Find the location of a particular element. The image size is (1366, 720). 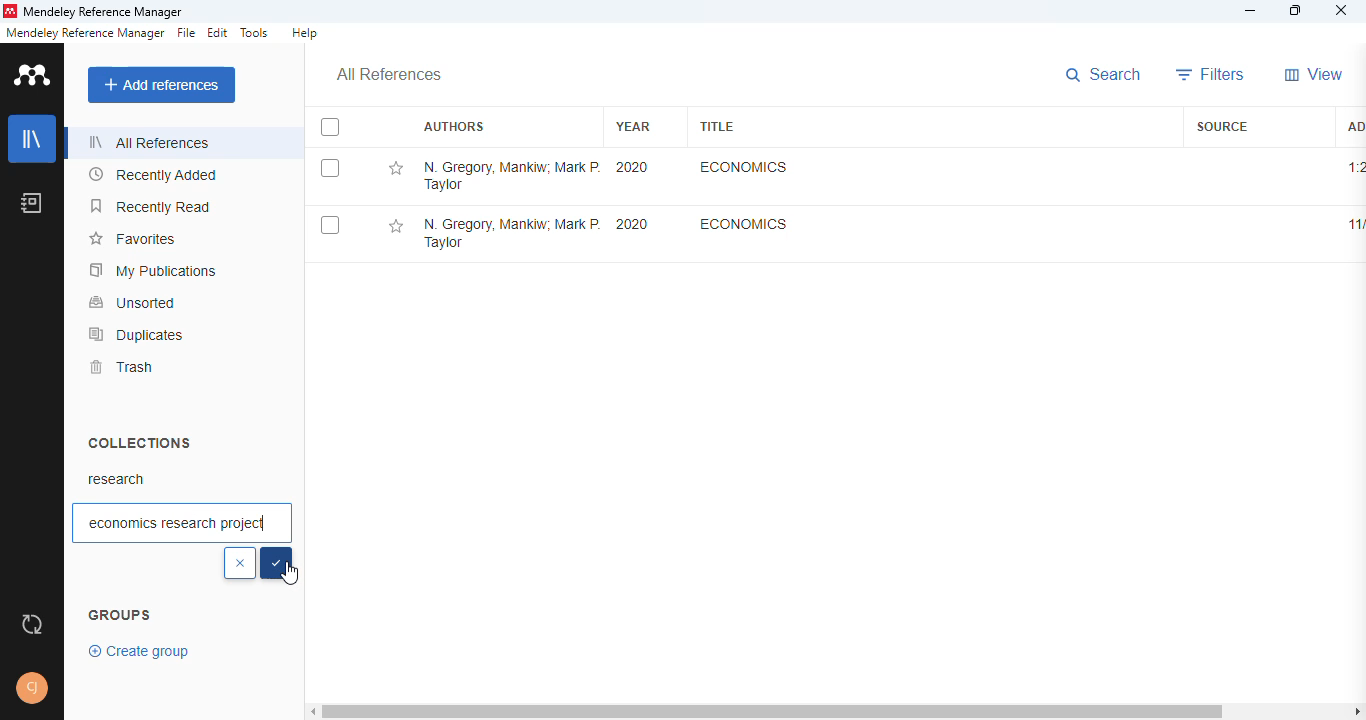

library is located at coordinates (33, 139).